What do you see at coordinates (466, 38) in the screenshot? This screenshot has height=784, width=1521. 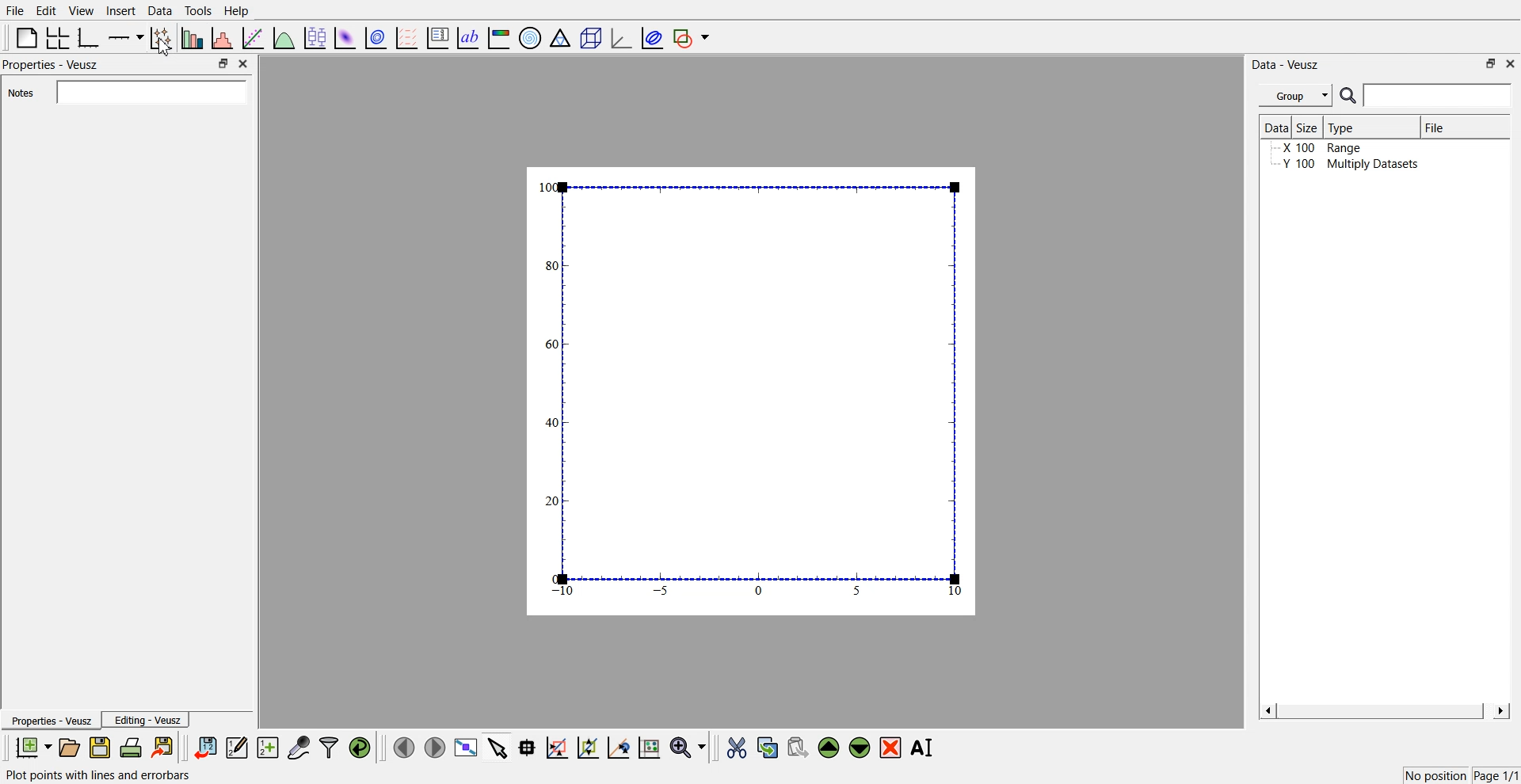 I see `text label` at bounding box center [466, 38].